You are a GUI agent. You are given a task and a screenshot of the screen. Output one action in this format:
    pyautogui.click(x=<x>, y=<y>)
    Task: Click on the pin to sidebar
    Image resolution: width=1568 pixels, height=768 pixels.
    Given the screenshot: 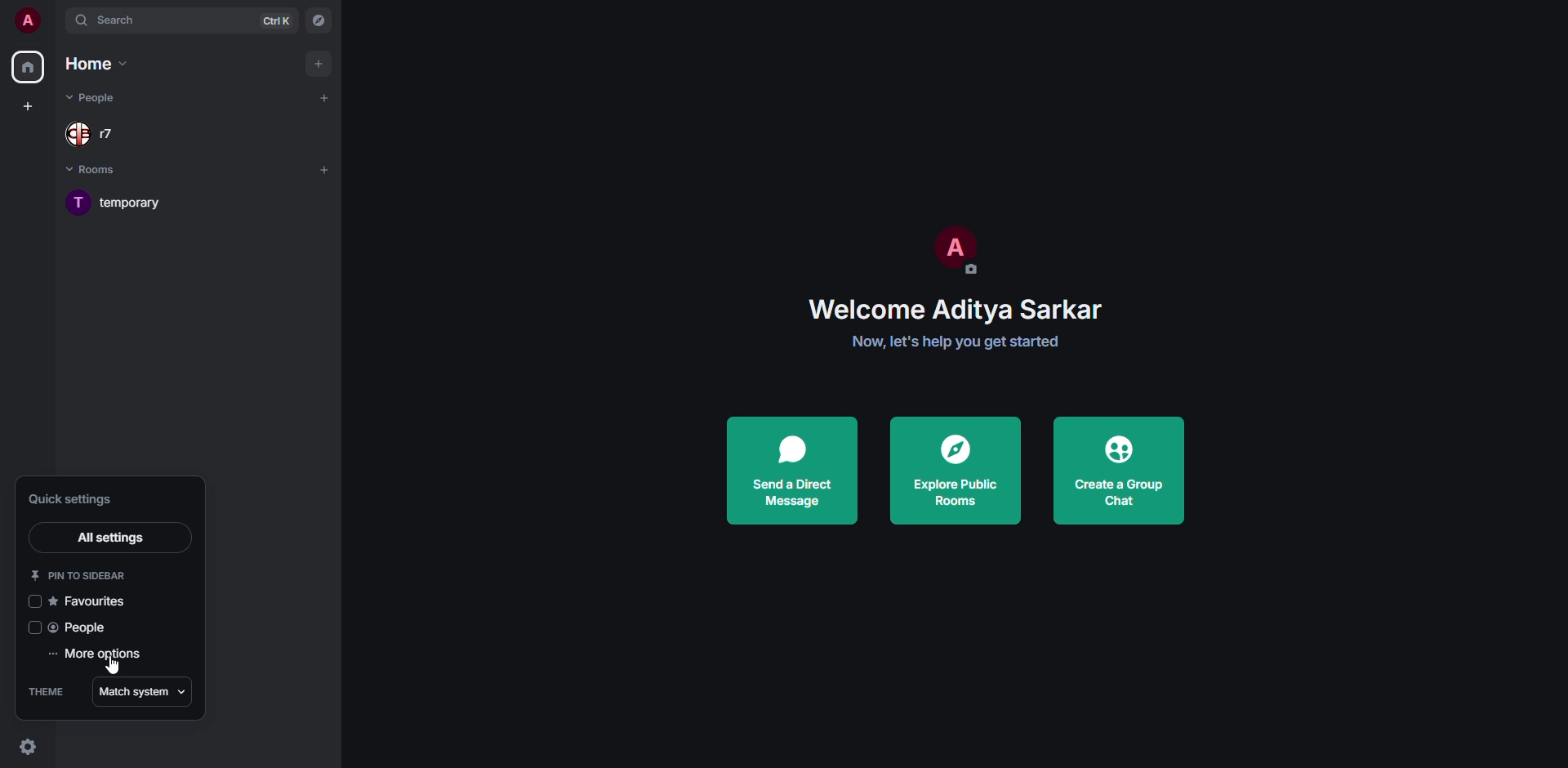 What is the action you would take?
    pyautogui.click(x=84, y=574)
    